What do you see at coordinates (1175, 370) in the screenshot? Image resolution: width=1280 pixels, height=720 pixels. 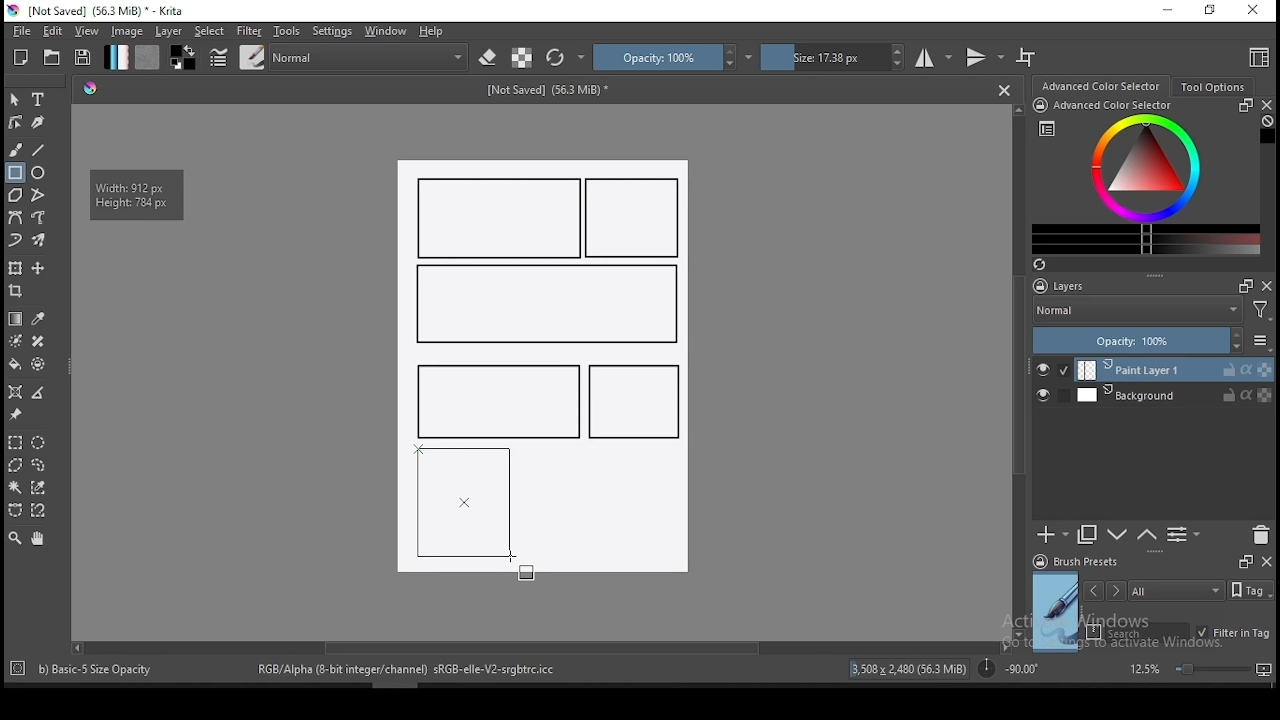 I see `layer` at bounding box center [1175, 370].